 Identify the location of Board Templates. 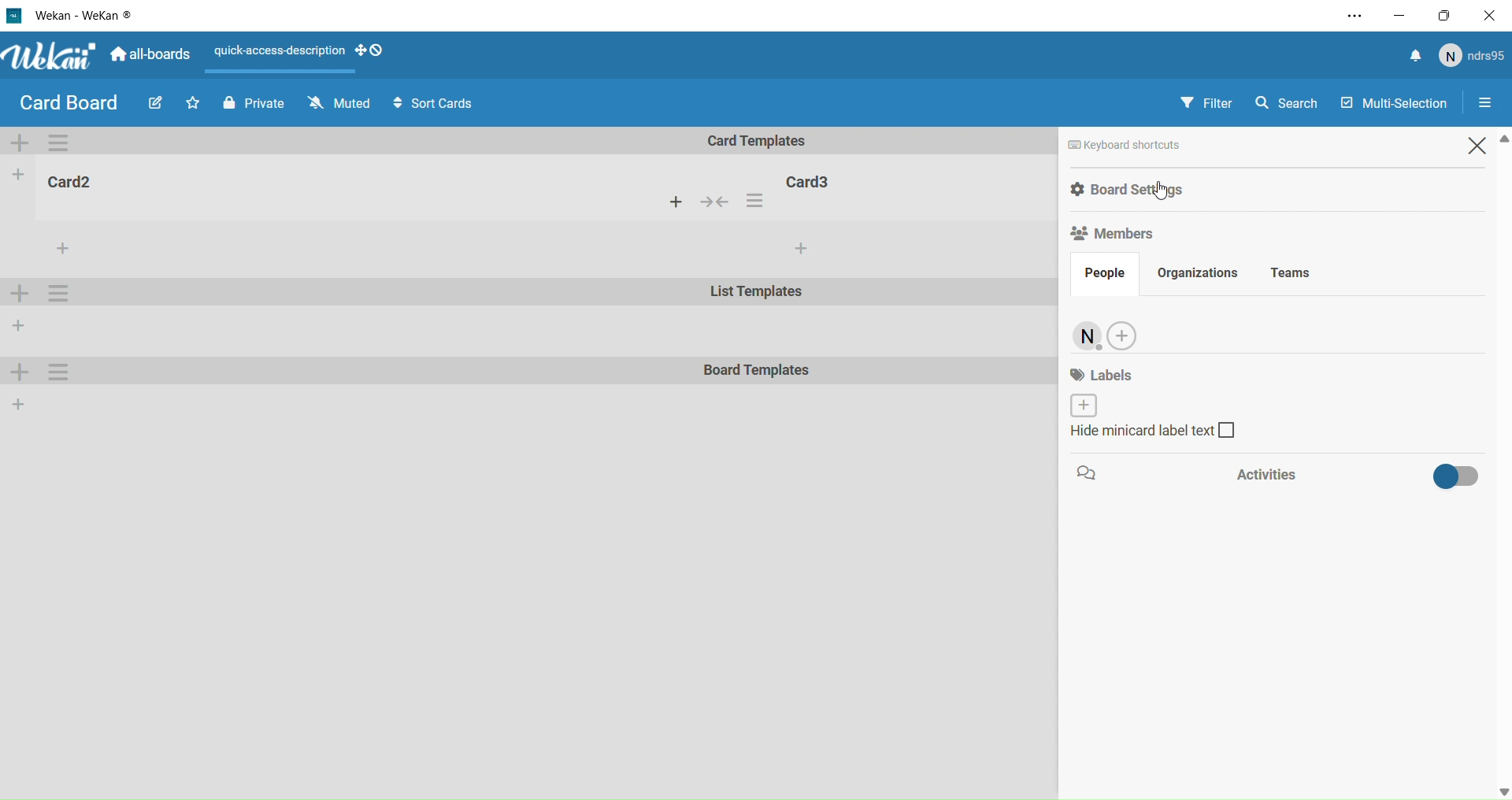
(758, 372).